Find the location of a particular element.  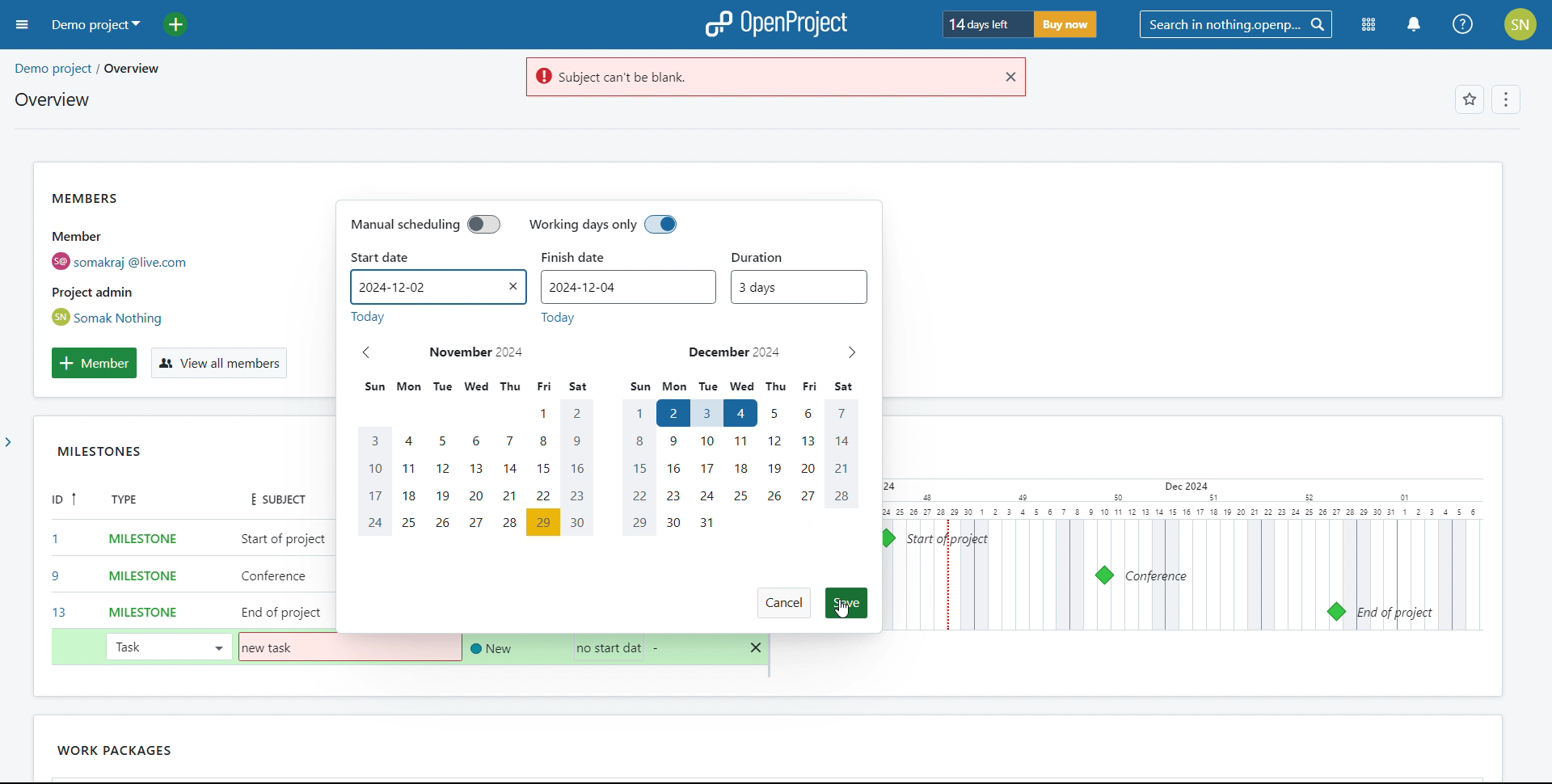

open sidebar menu is located at coordinates (23, 25).